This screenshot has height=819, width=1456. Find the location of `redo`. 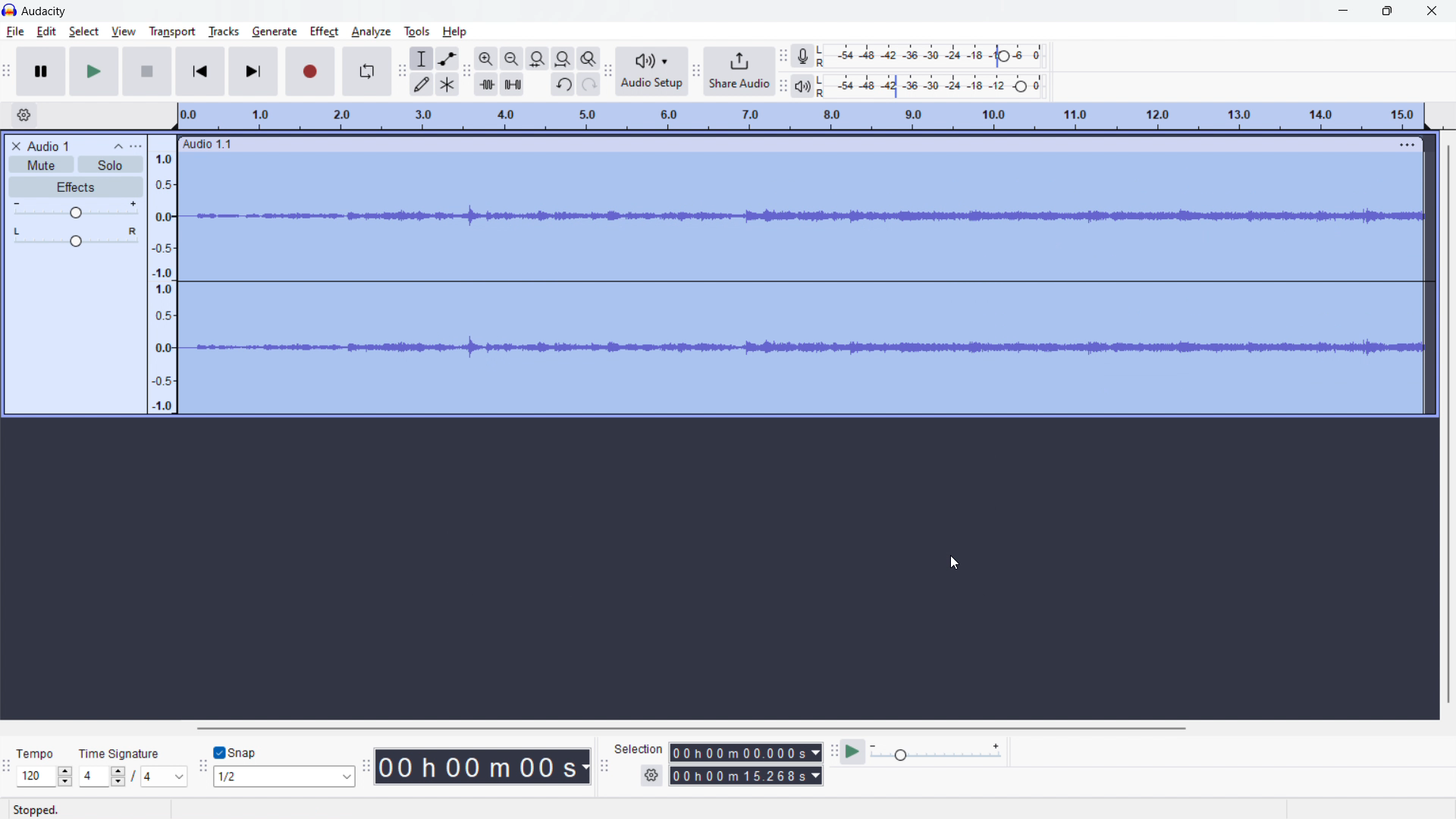

redo is located at coordinates (588, 84).